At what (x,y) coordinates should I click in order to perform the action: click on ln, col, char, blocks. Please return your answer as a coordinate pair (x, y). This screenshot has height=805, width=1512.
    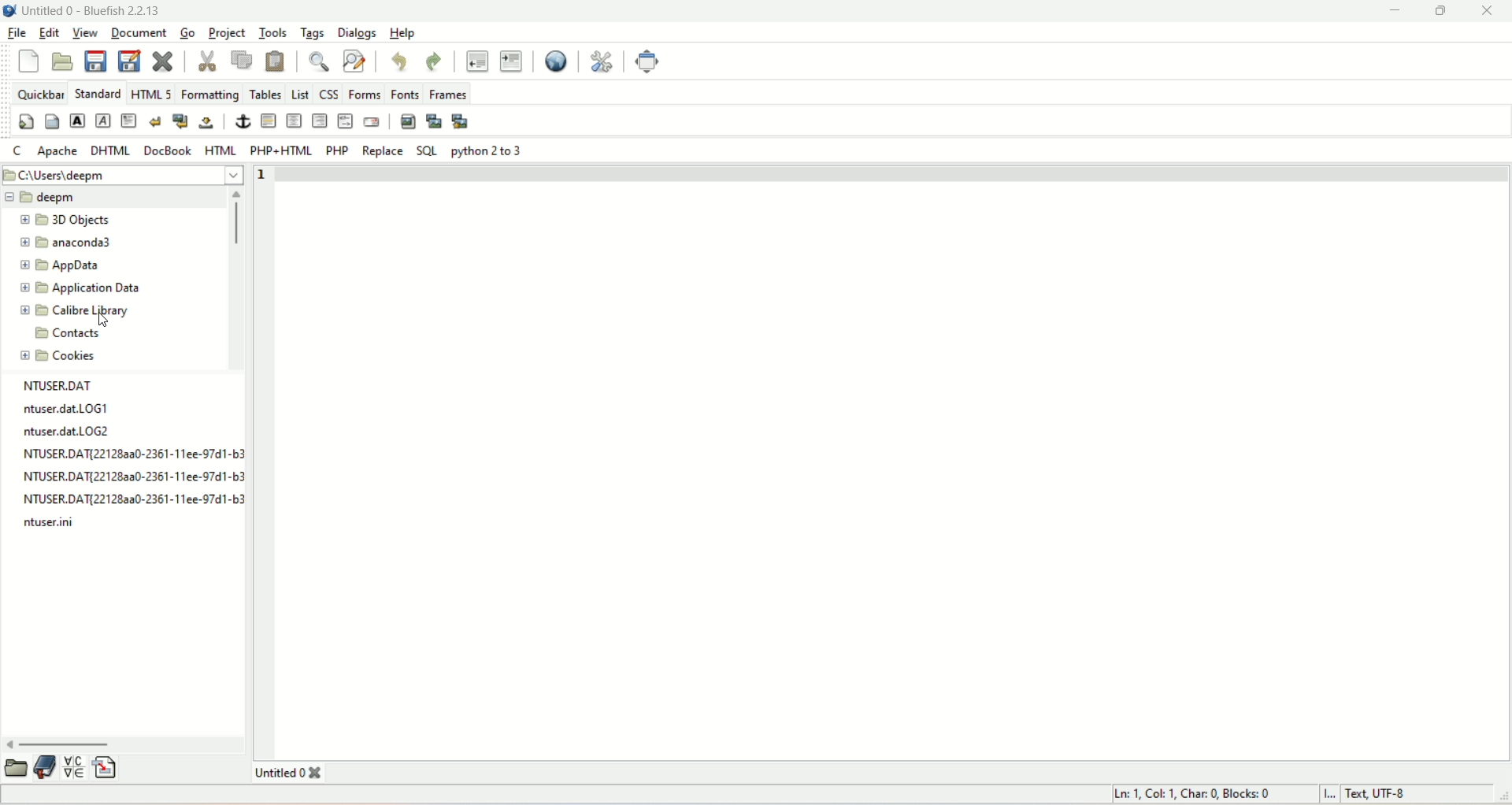
    Looking at the image, I should click on (1193, 793).